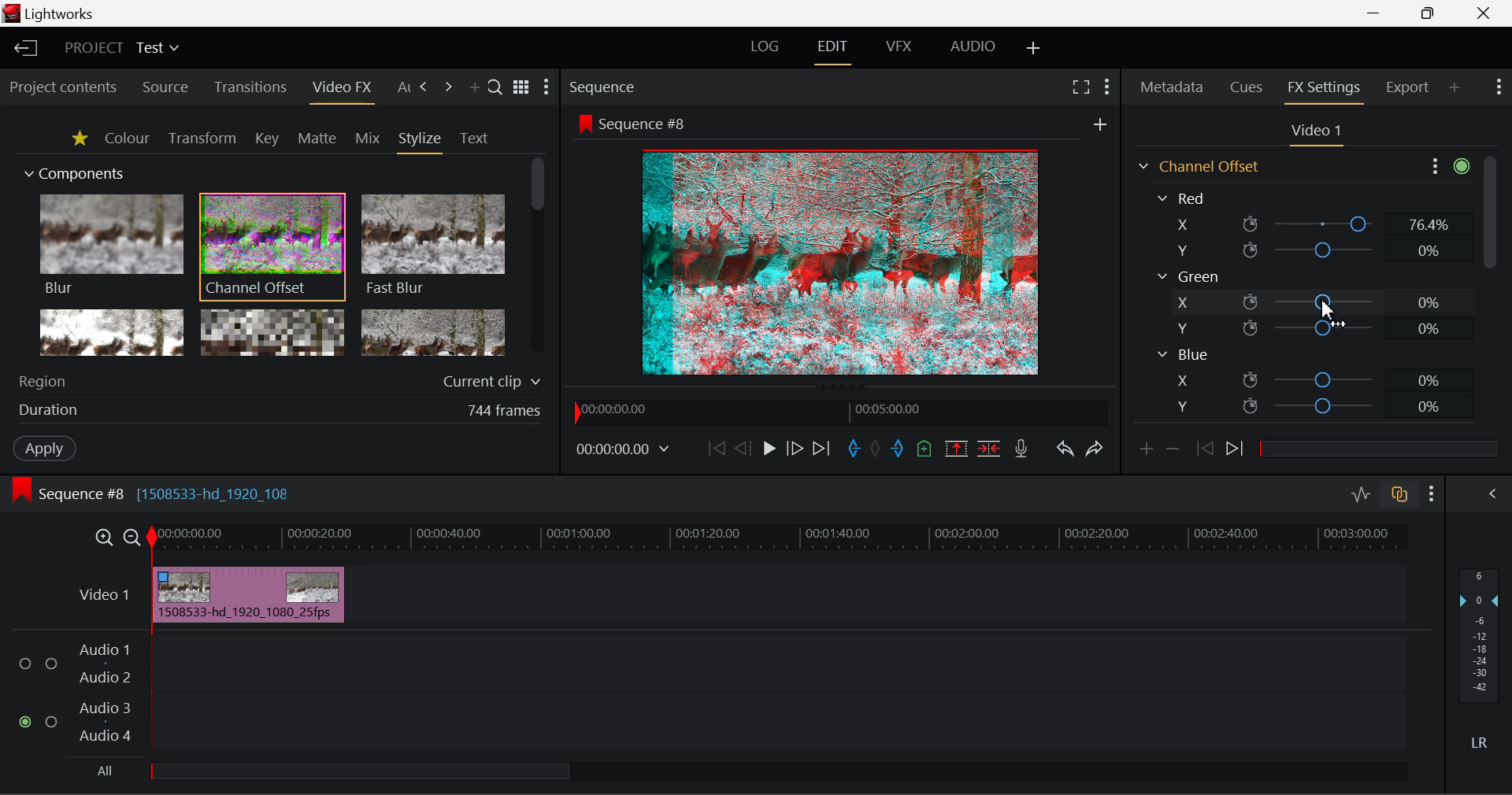  I want to click on Project Timeline Navigator, so click(841, 412).